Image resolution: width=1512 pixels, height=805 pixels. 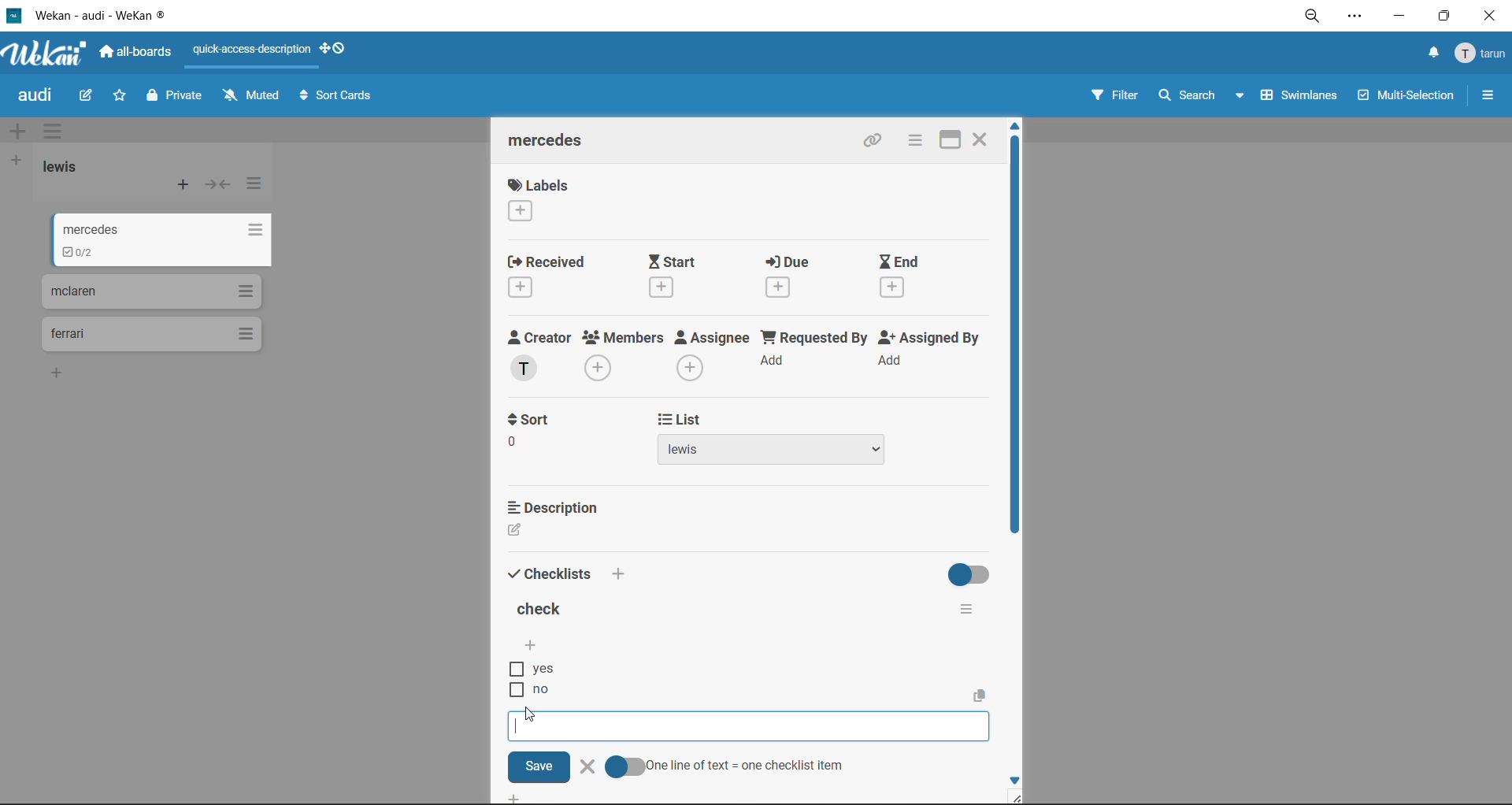 What do you see at coordinates (514, 670) in the screenshot?
I see `Checbox` at bounding box center [514, 670].